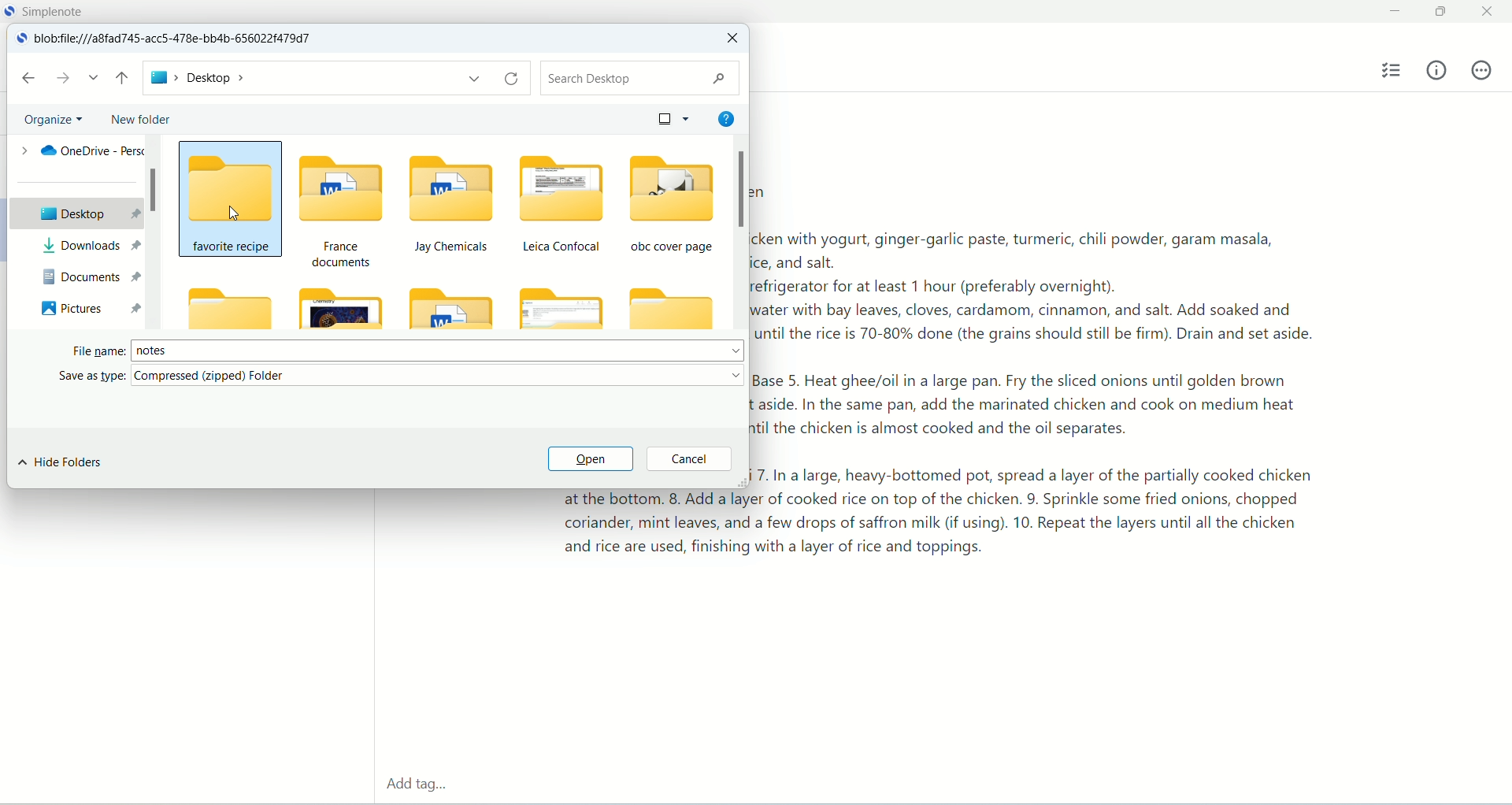 The width and height of the screenshot is (1512, 805). I want to click on change view, so click(669, 117).